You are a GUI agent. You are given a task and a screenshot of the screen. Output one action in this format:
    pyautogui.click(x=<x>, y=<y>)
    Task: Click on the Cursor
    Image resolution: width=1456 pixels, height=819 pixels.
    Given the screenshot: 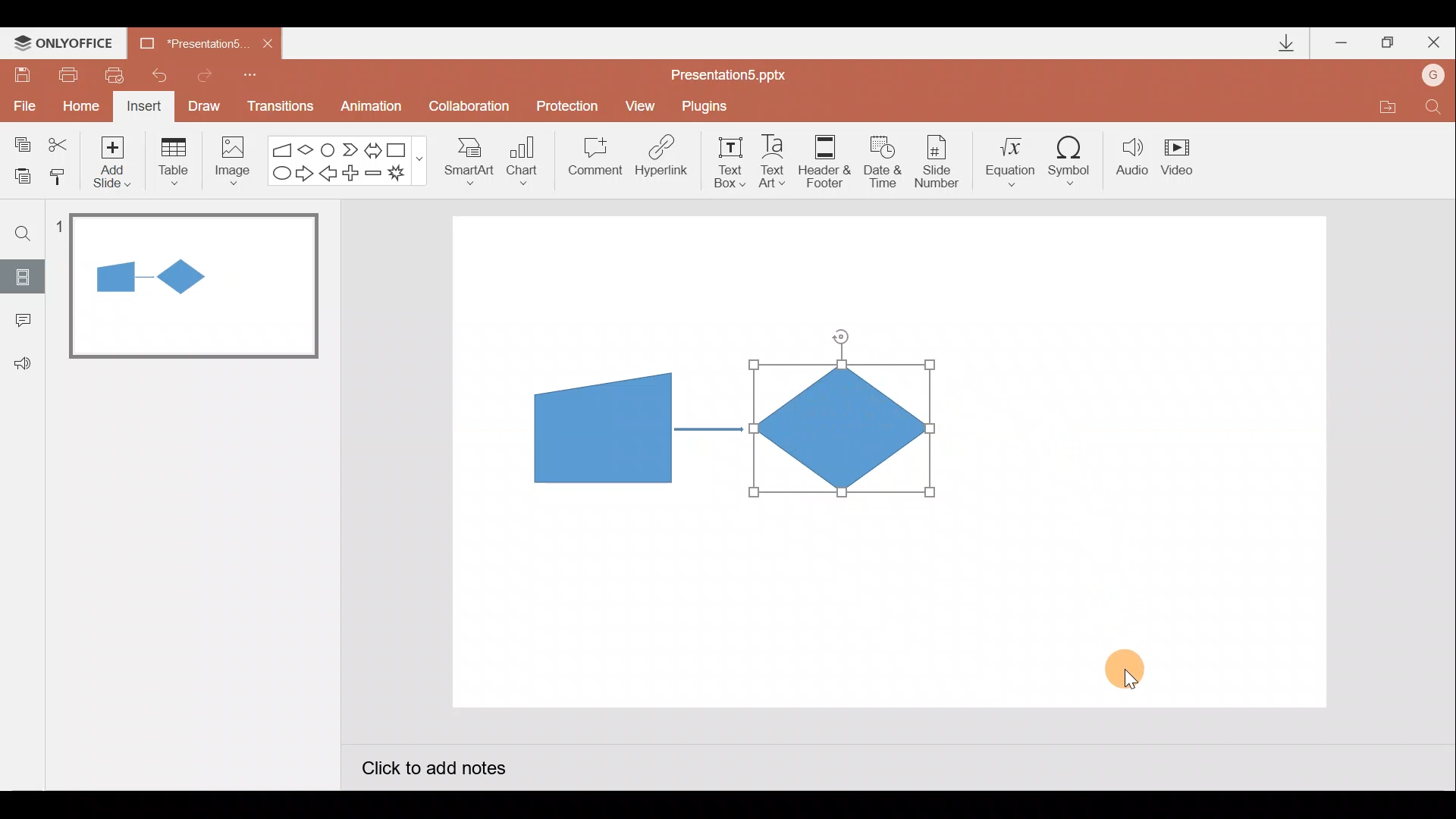 What is the action you would take?
    pyautogui.click(x=1133, y=665)
    